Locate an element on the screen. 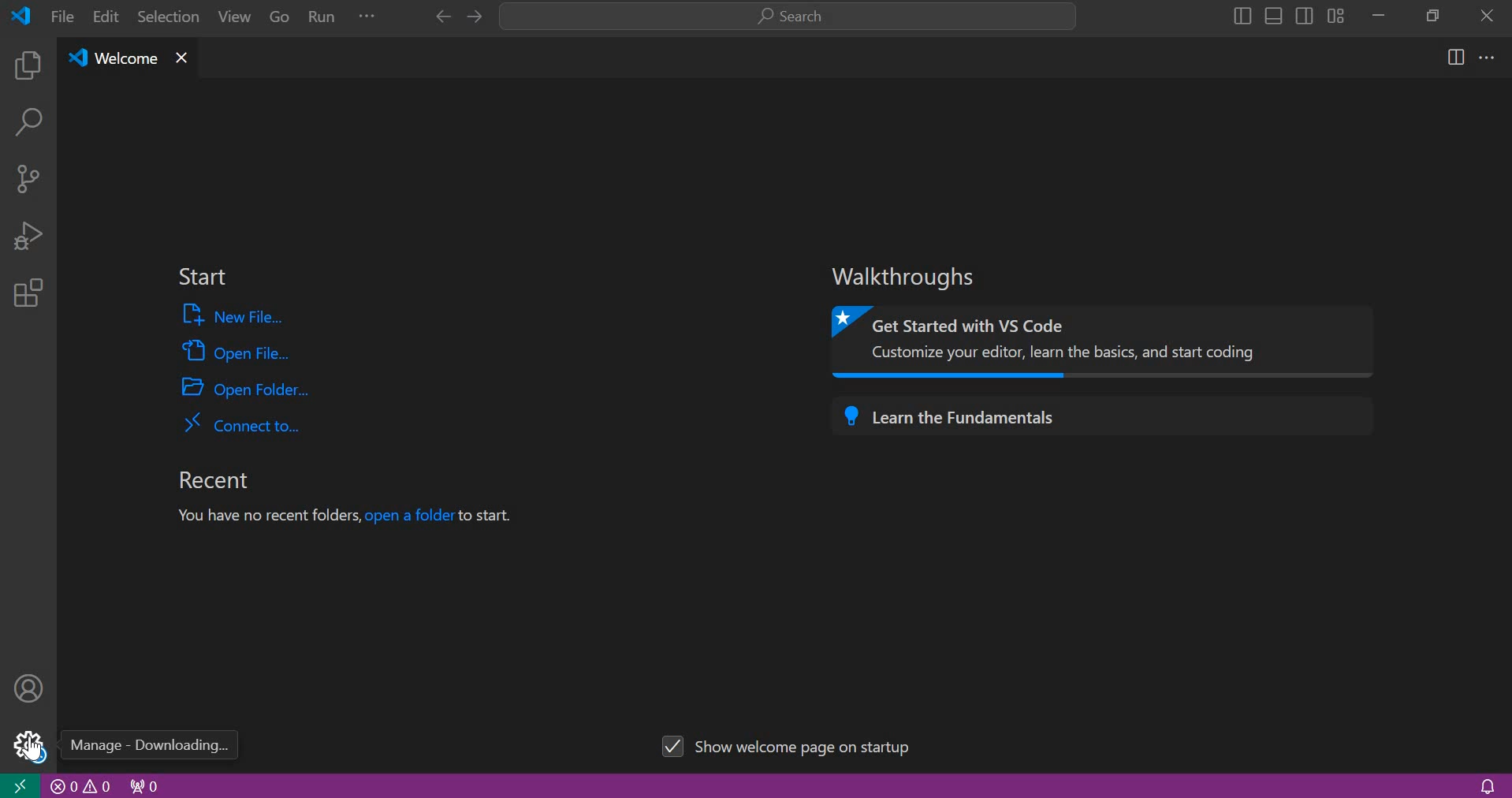  selection is located at coordinates (169, 16).